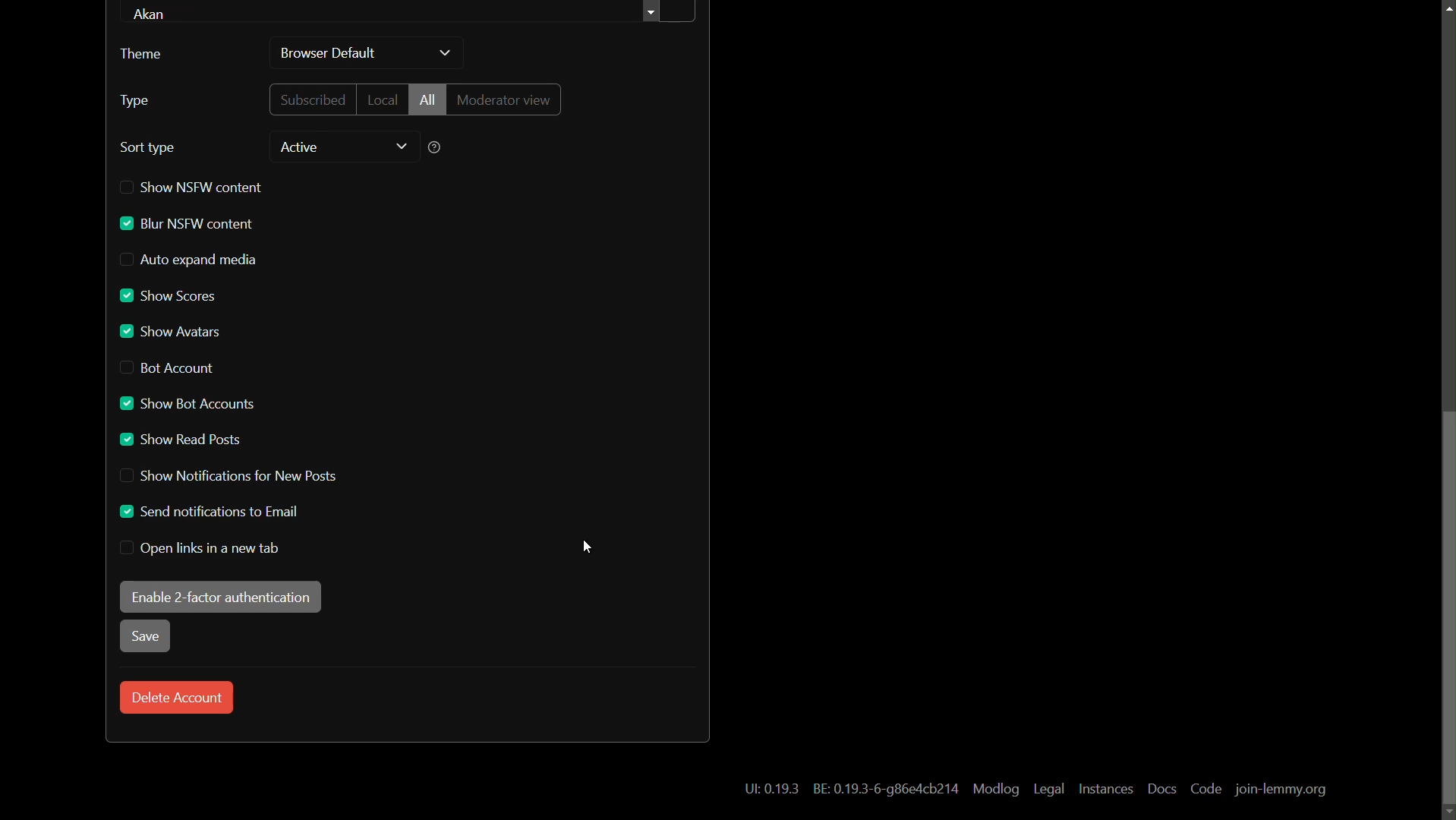 The height and width of the screenshot is (820, 1456). Describe the element at coordinates (505, 99) in the screenshot. I see `moderator view` at that location.